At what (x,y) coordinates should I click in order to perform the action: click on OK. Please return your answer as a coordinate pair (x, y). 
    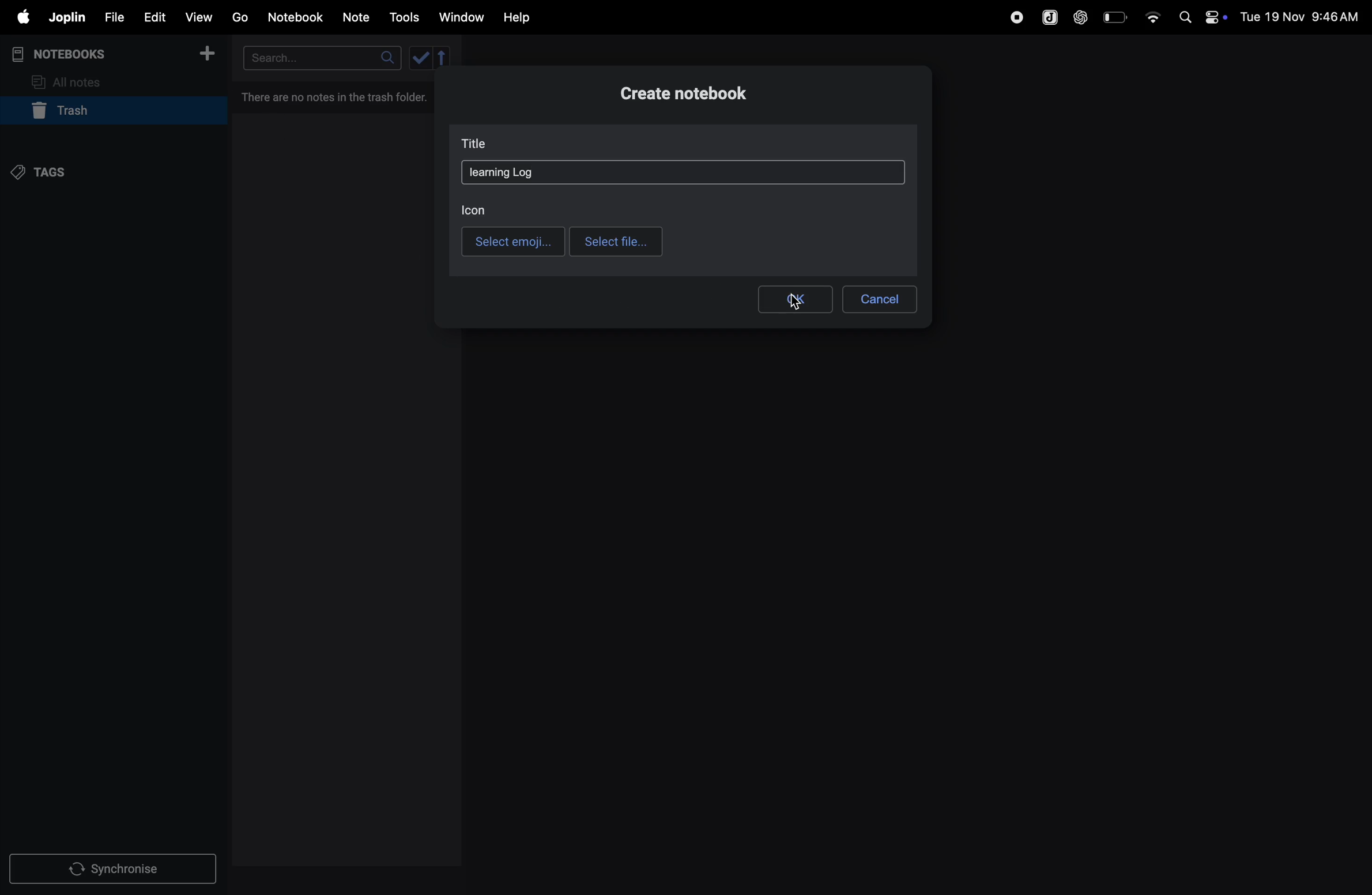
    Looking at the image, I should click on (794, 299).